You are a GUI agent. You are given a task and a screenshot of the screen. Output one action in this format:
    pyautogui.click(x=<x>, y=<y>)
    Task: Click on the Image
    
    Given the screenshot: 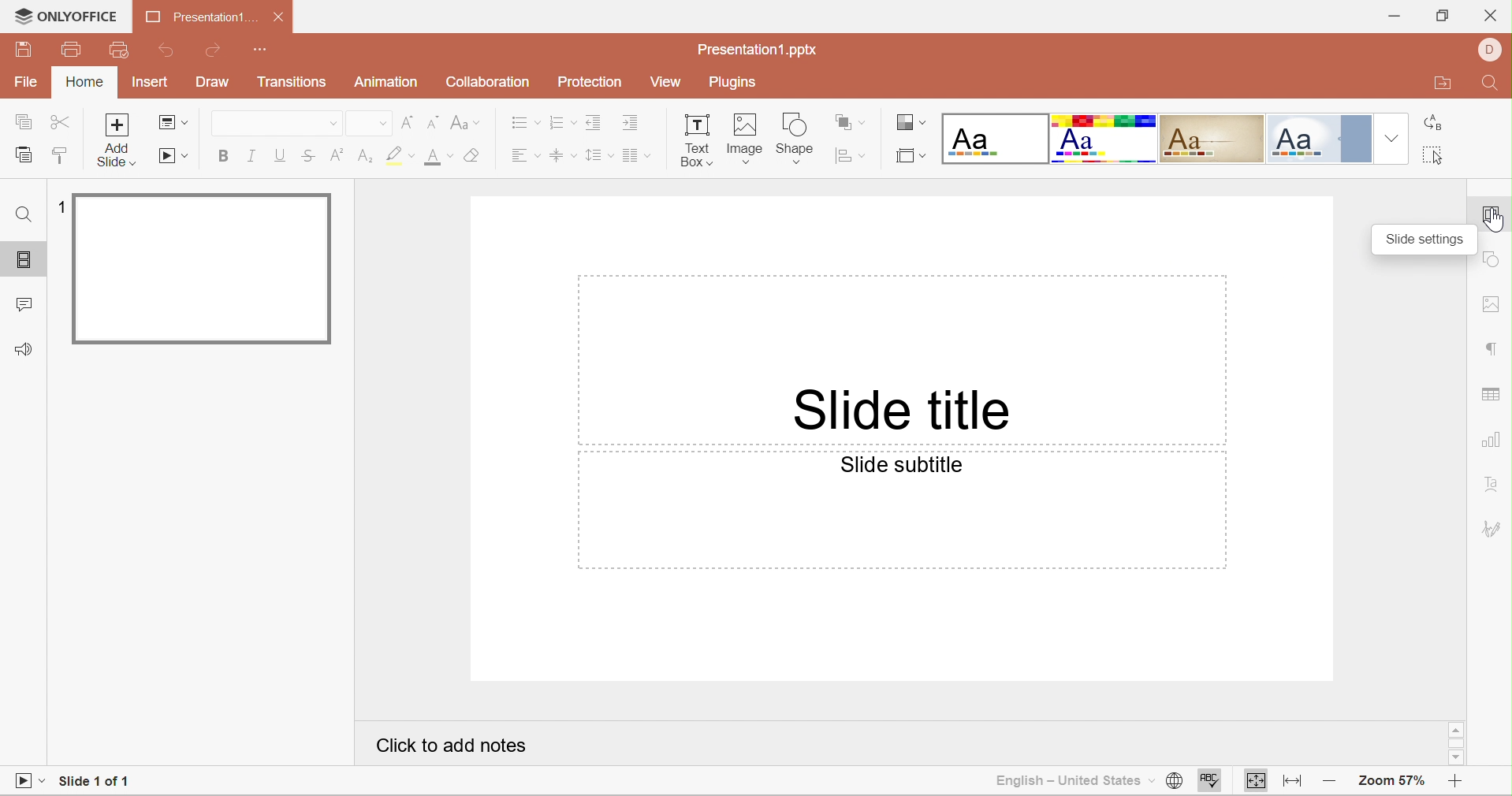 What is the action you would take?
    pyautogui.click(x=744, y=136)
    